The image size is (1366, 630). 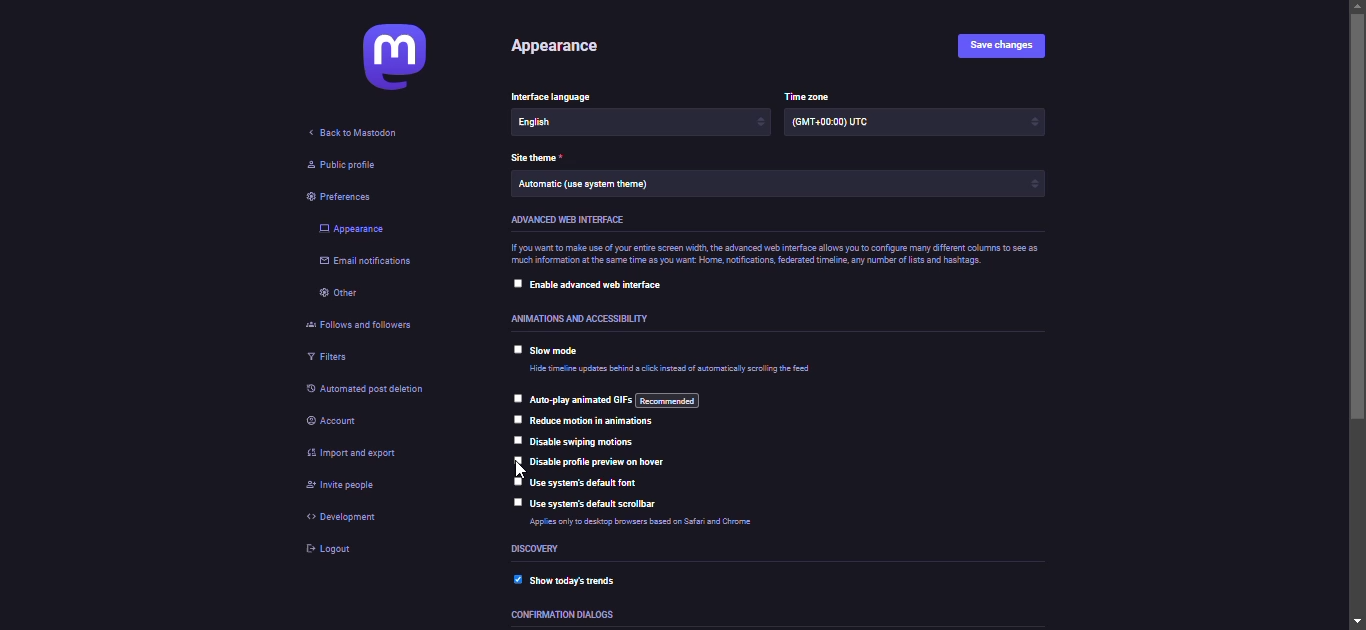 I want to click on logout, so click(x=328, y=550).